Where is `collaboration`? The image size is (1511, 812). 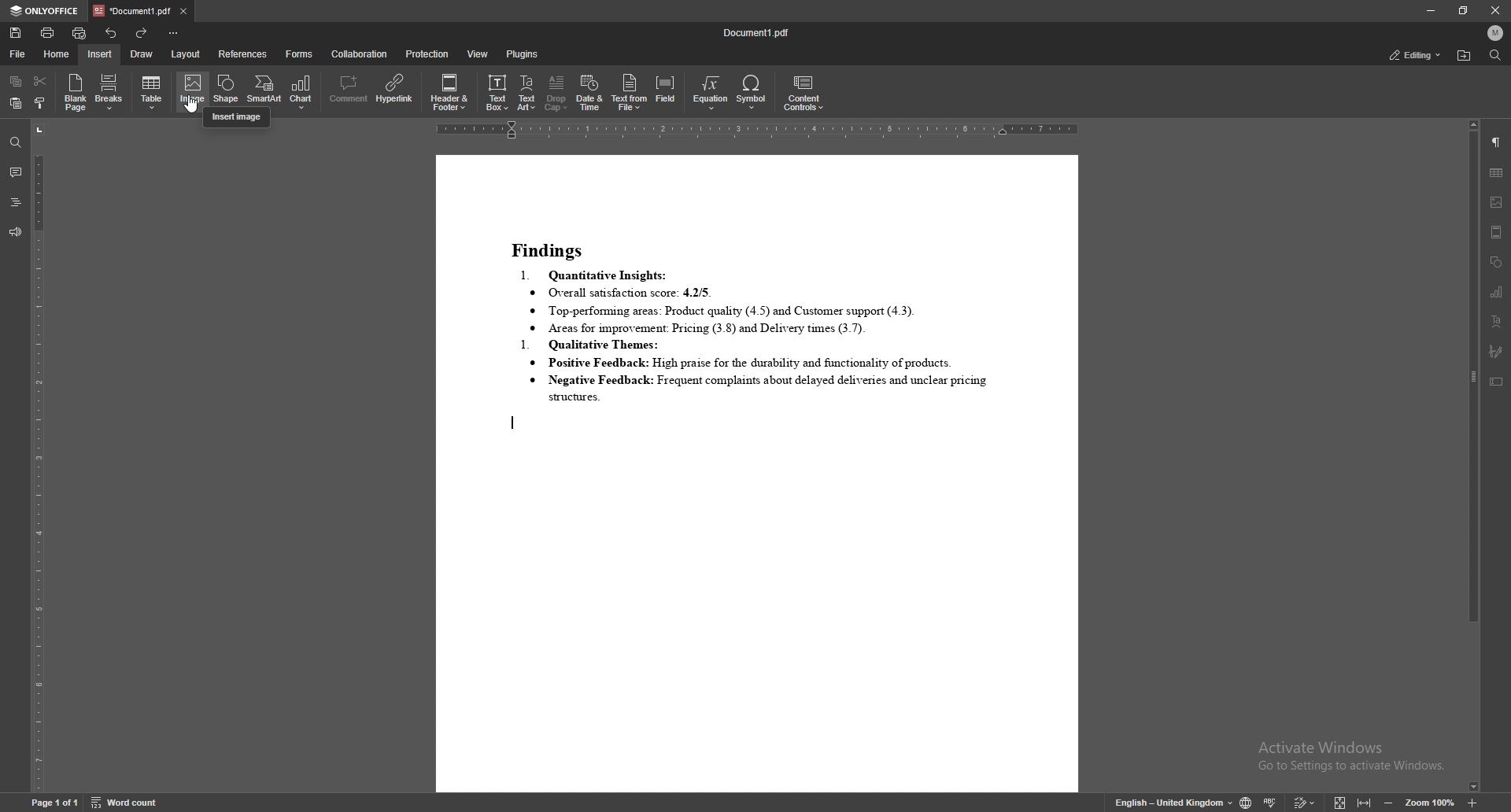 collaboration is located at coordinates (361, 54).